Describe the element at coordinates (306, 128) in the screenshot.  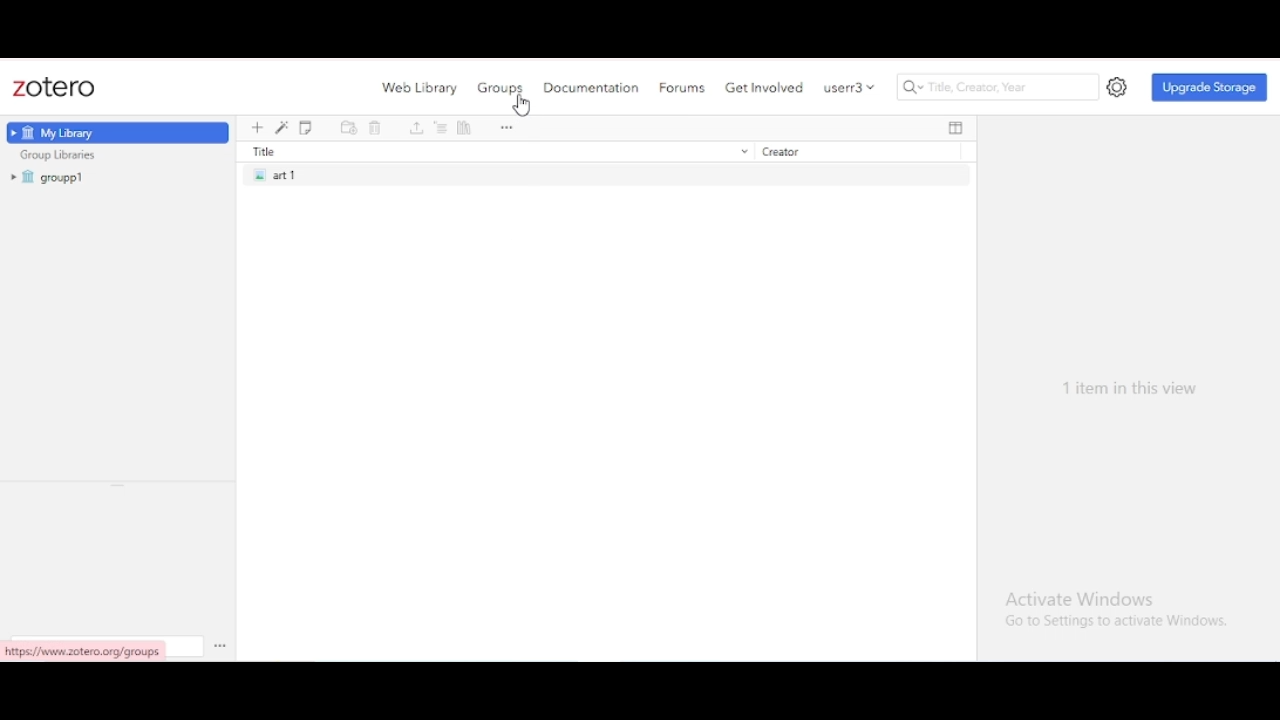
I see `new standalone note` at that location.